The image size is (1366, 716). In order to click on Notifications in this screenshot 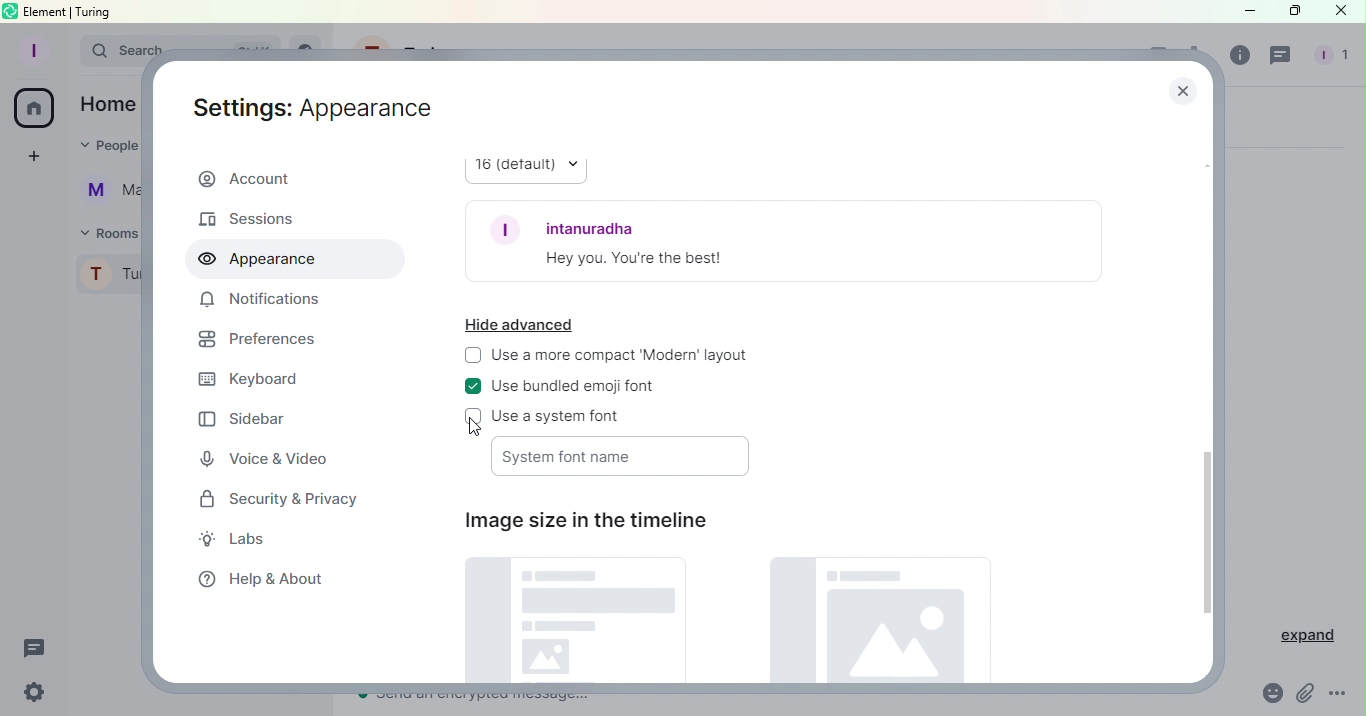, I will do `click(256, 301)`.